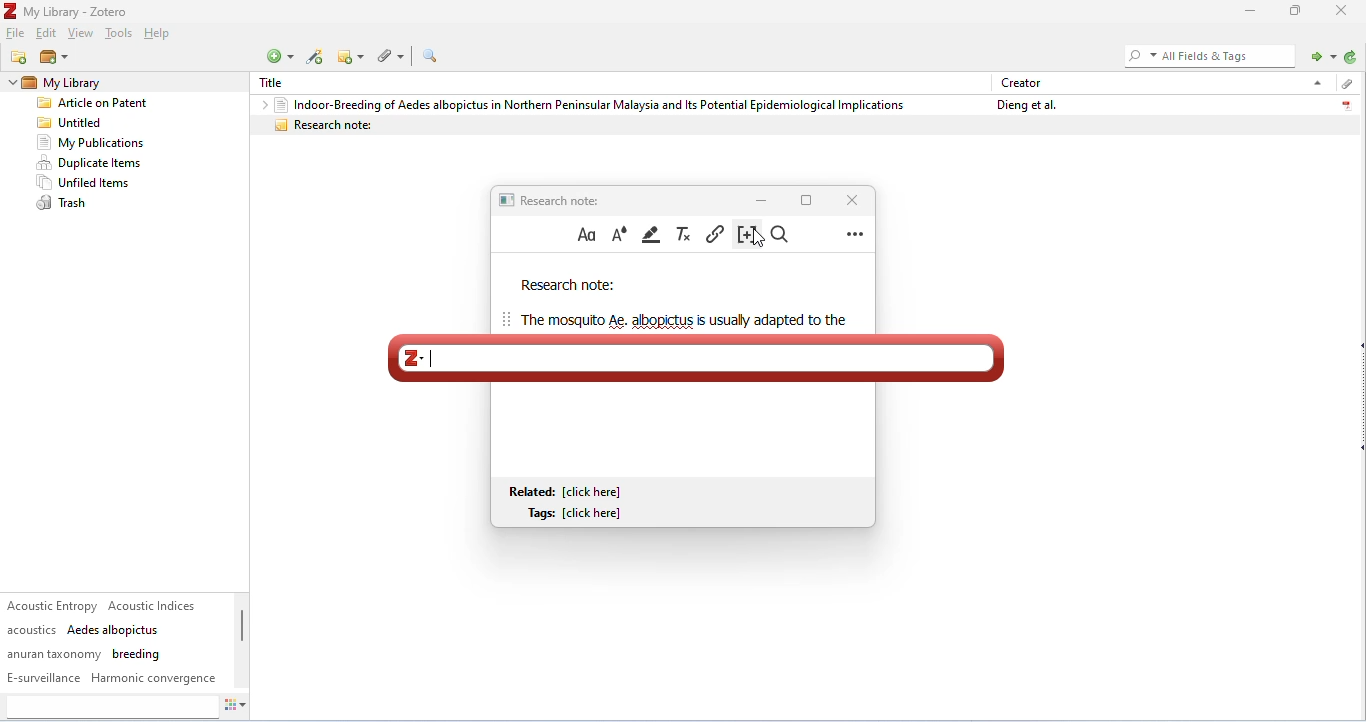 The image size is (1366, 722). I want to click on add item, so click(316, 57).